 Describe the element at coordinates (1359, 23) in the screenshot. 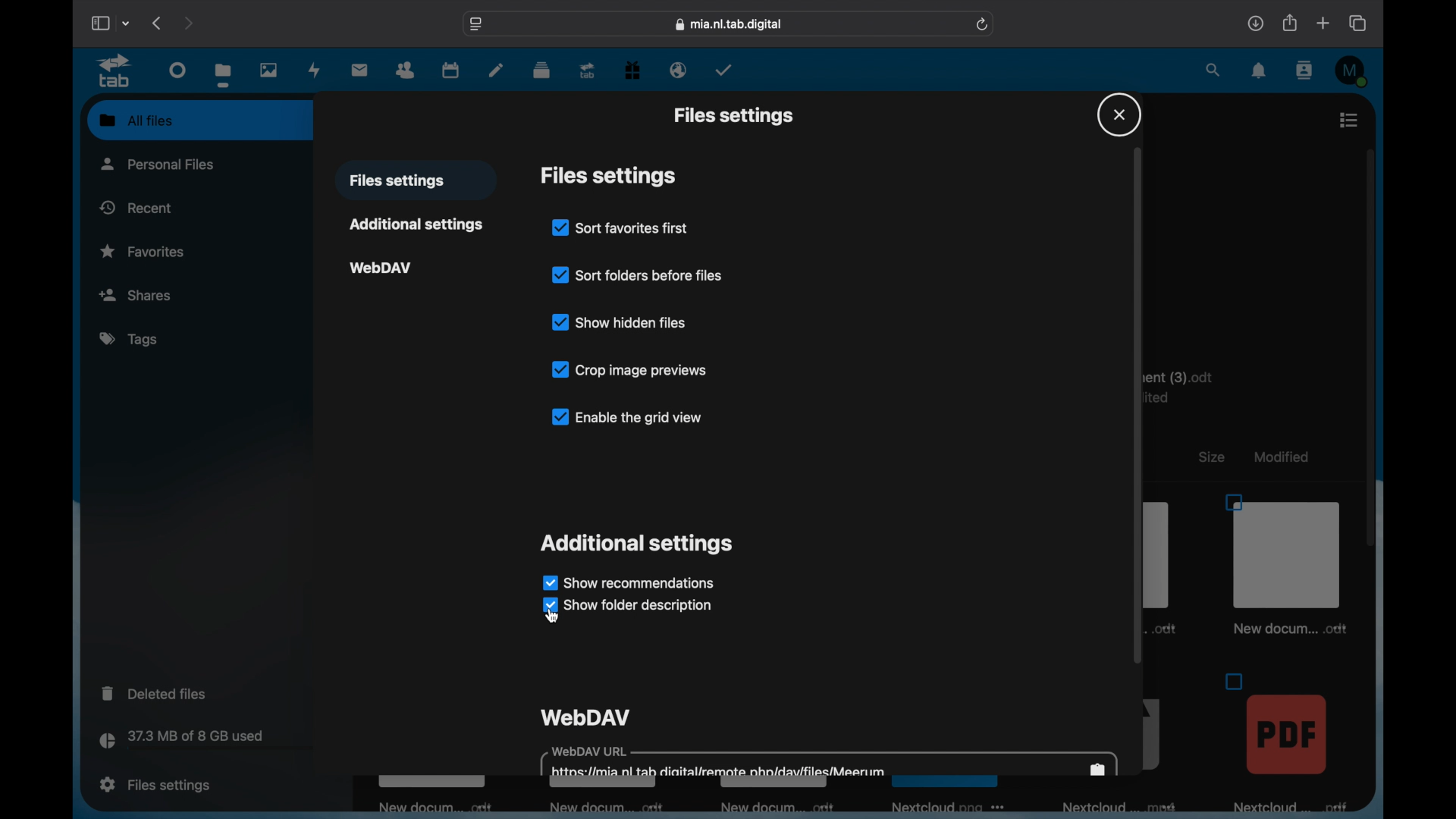

I see `show tab overview` at that location.